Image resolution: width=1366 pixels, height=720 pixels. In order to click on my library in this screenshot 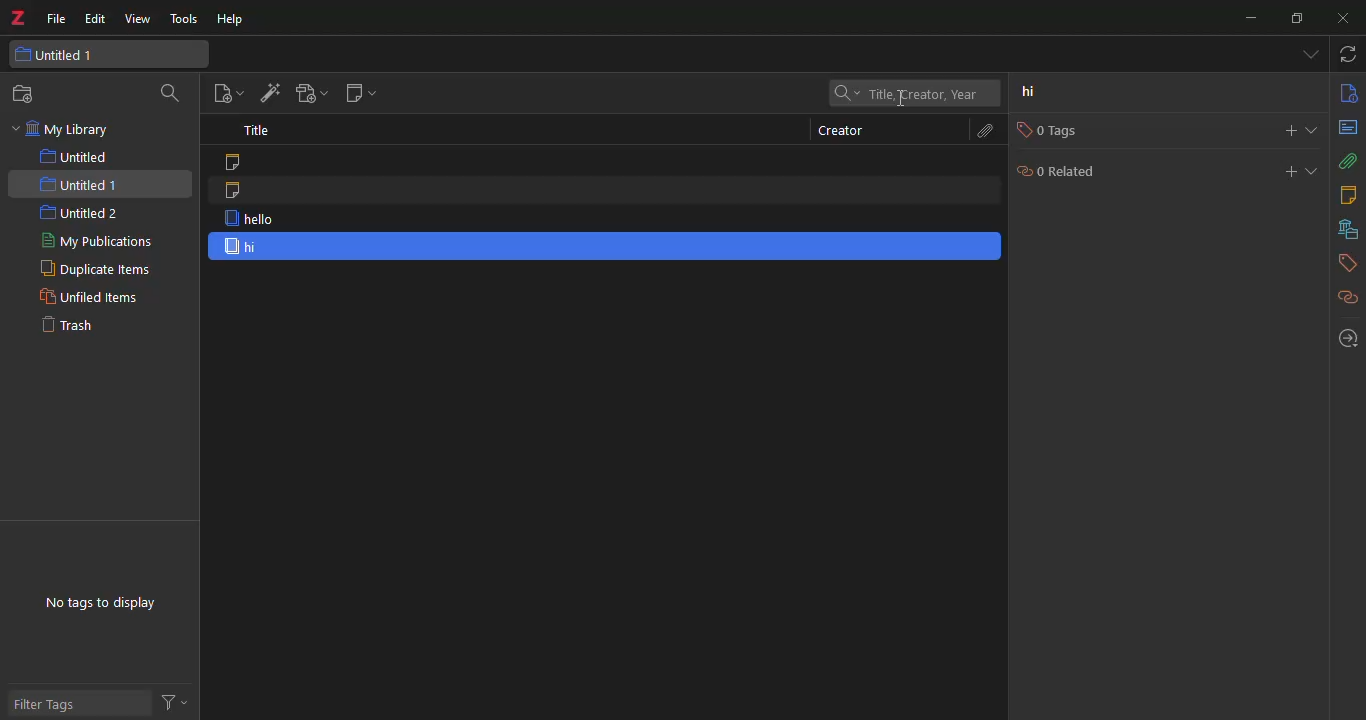, I will do `click(73, 130)`.